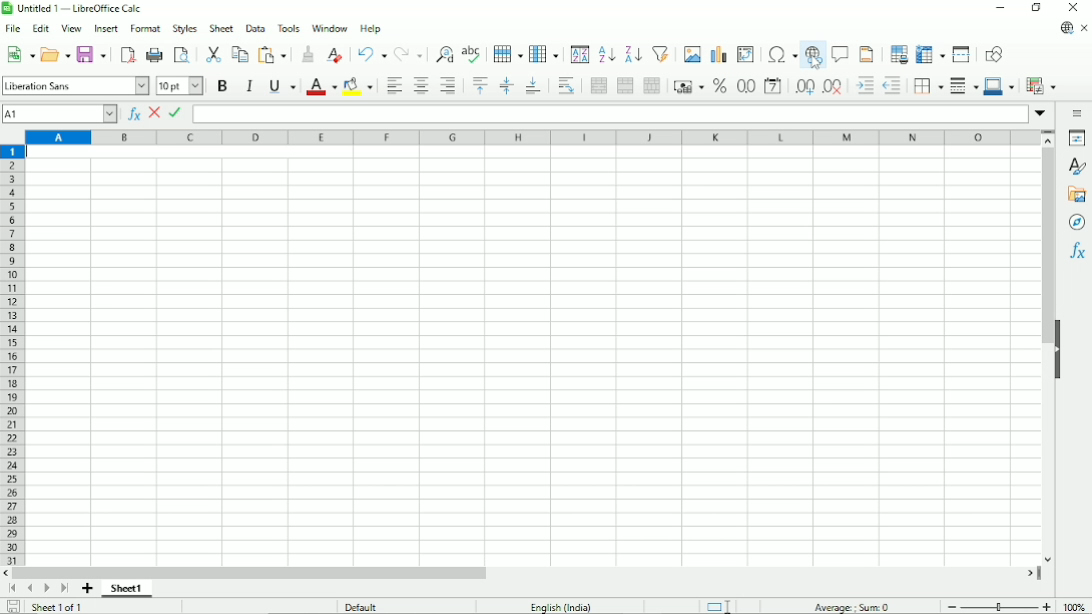  Describe the element at coordinates (450, 85) in the screenshot. I see `Align right` at that location.